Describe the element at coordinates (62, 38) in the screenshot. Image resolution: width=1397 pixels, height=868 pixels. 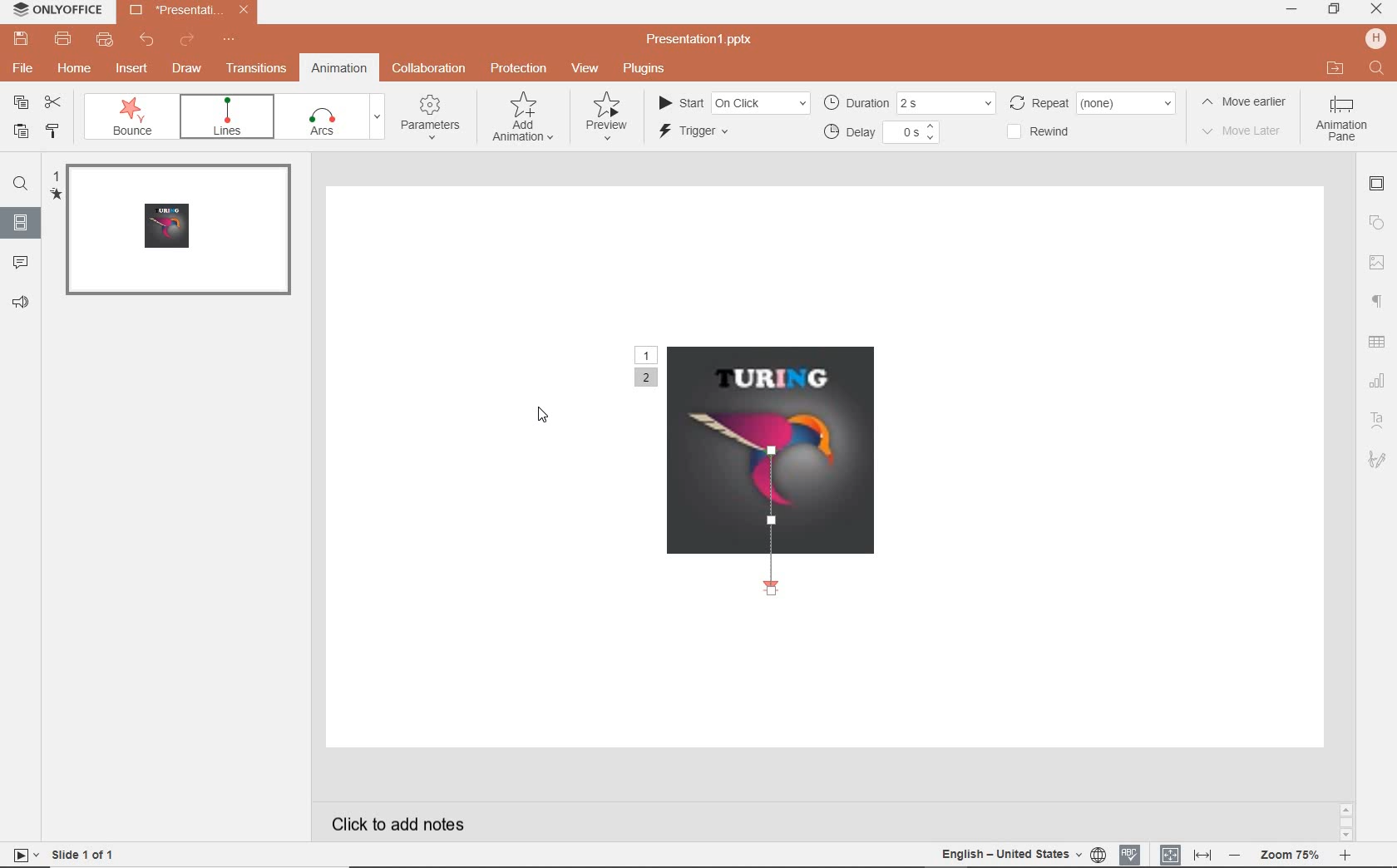
I see `print` at that location.